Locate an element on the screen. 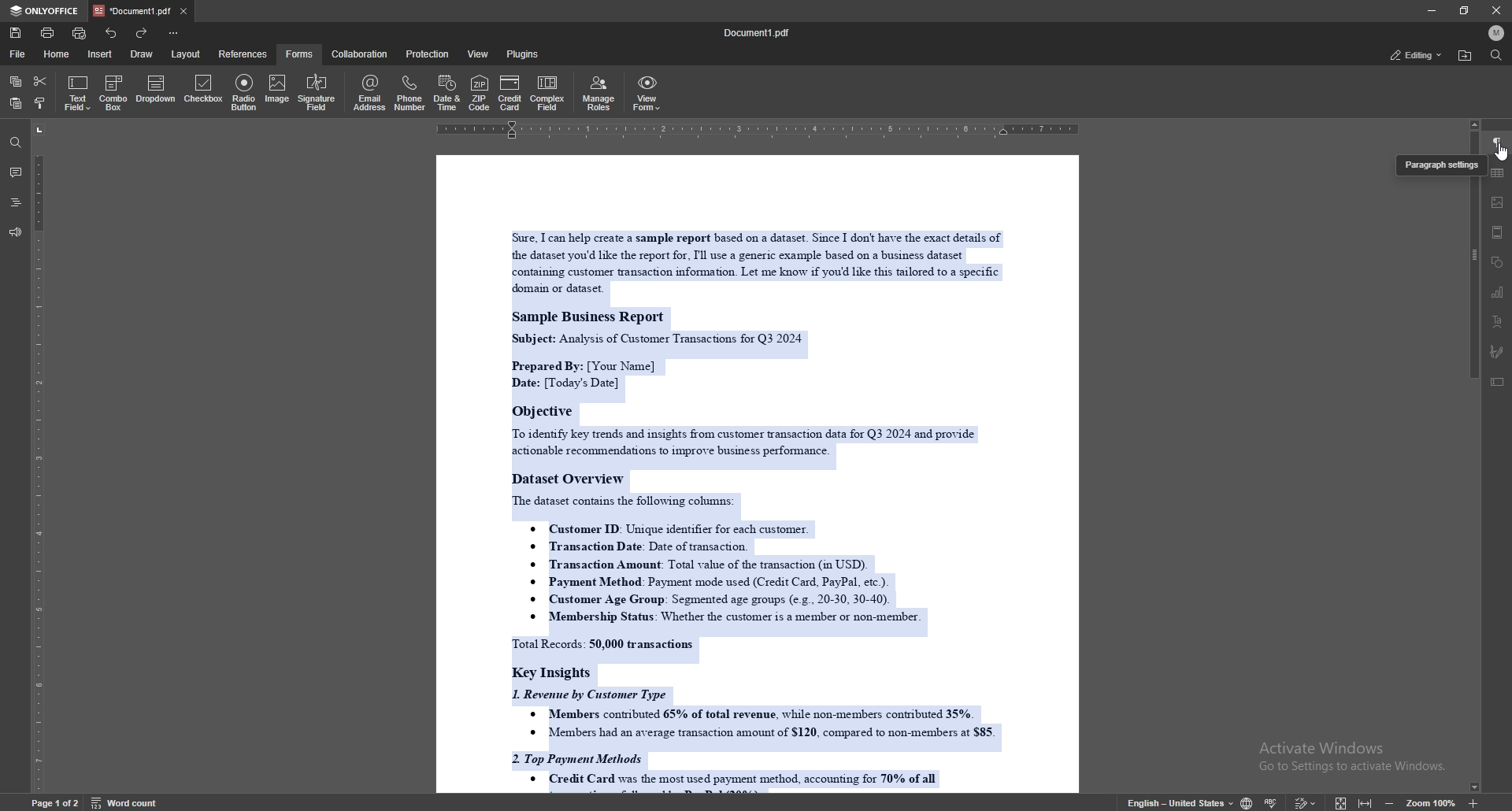  forms is located at coordinates (301, 54).